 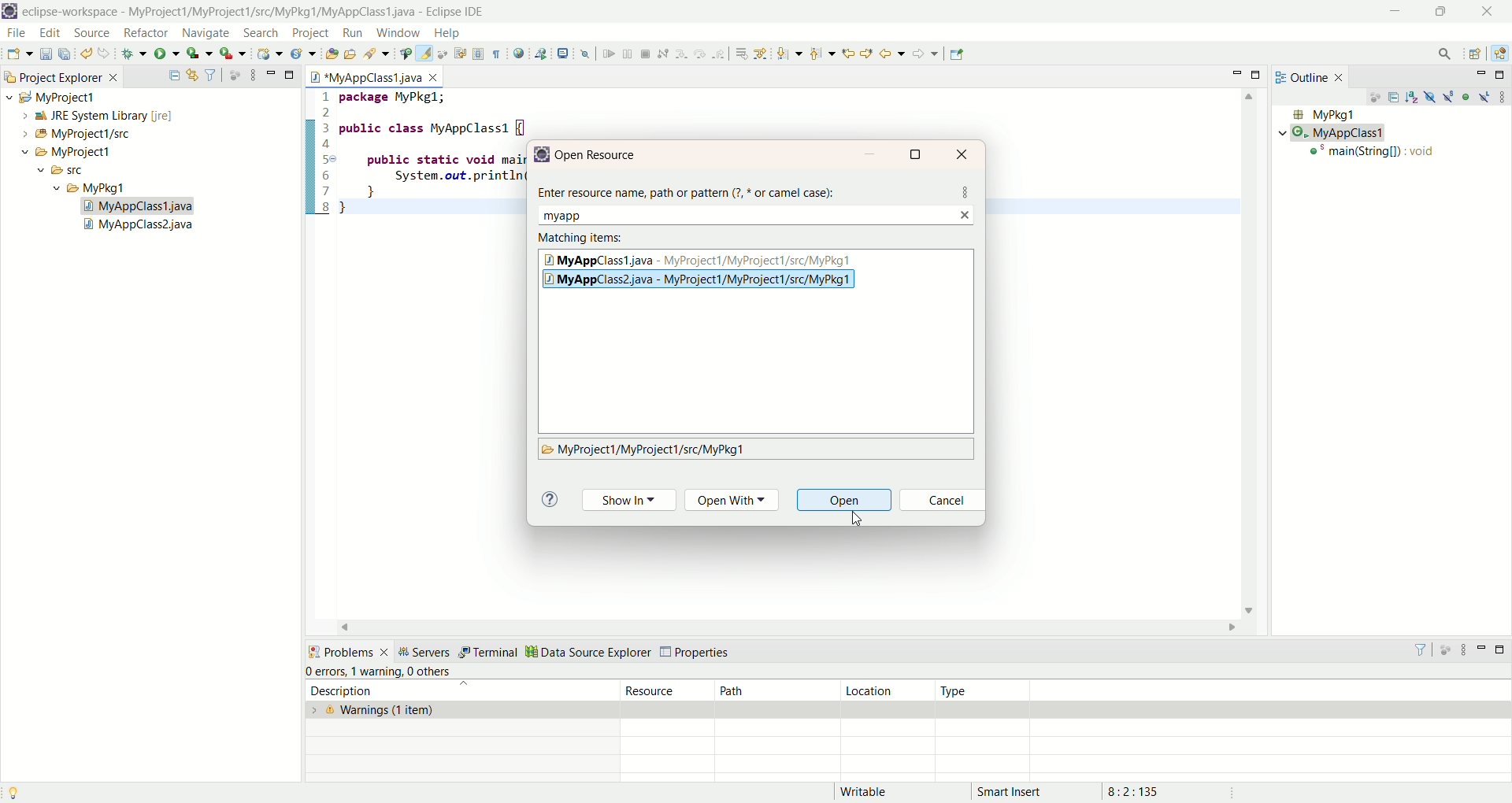 I want to click on terminate, so click(x=646, y=54).